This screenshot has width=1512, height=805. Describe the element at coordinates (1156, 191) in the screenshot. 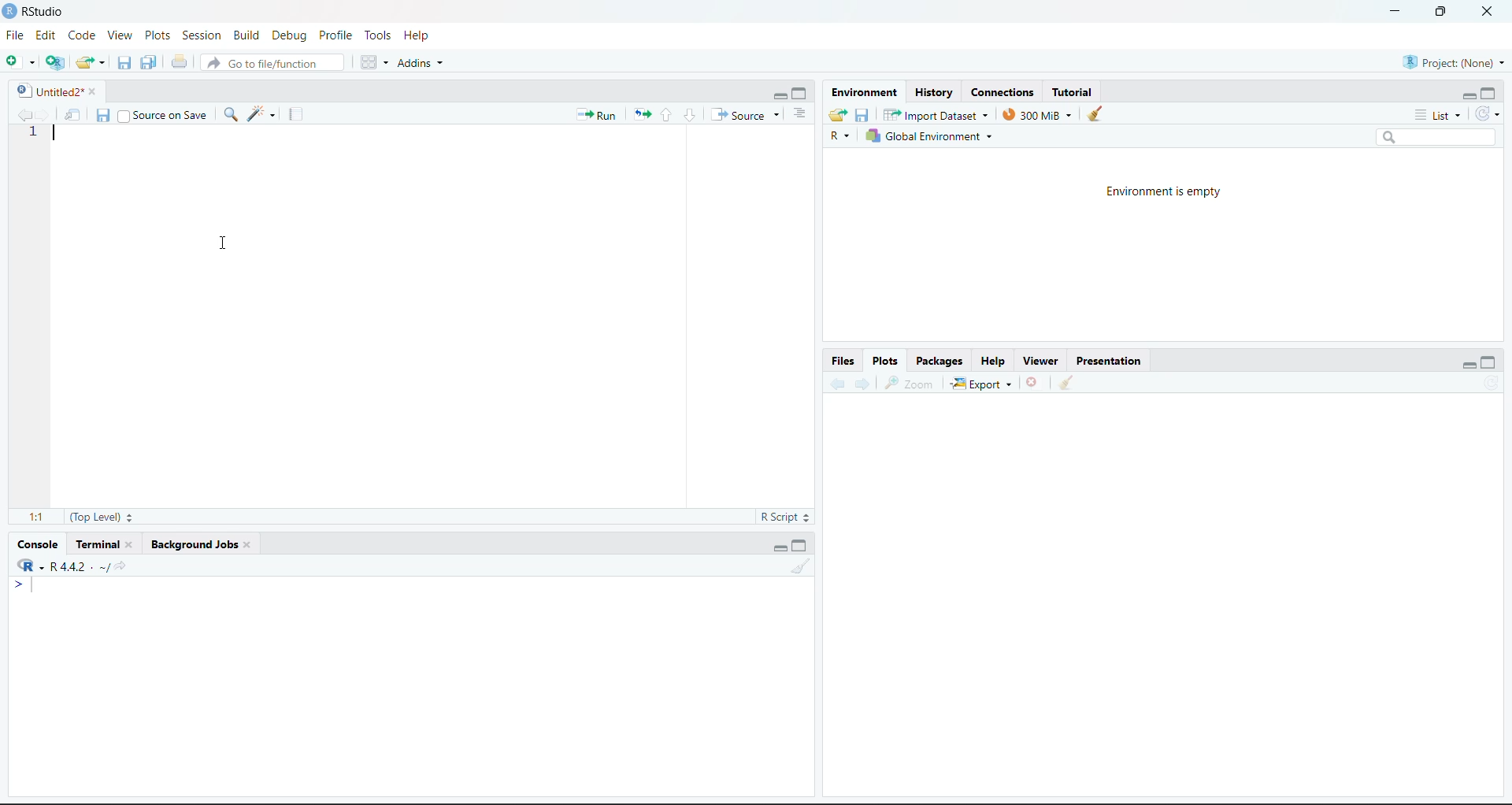

I see `Environment is empty` at that location.